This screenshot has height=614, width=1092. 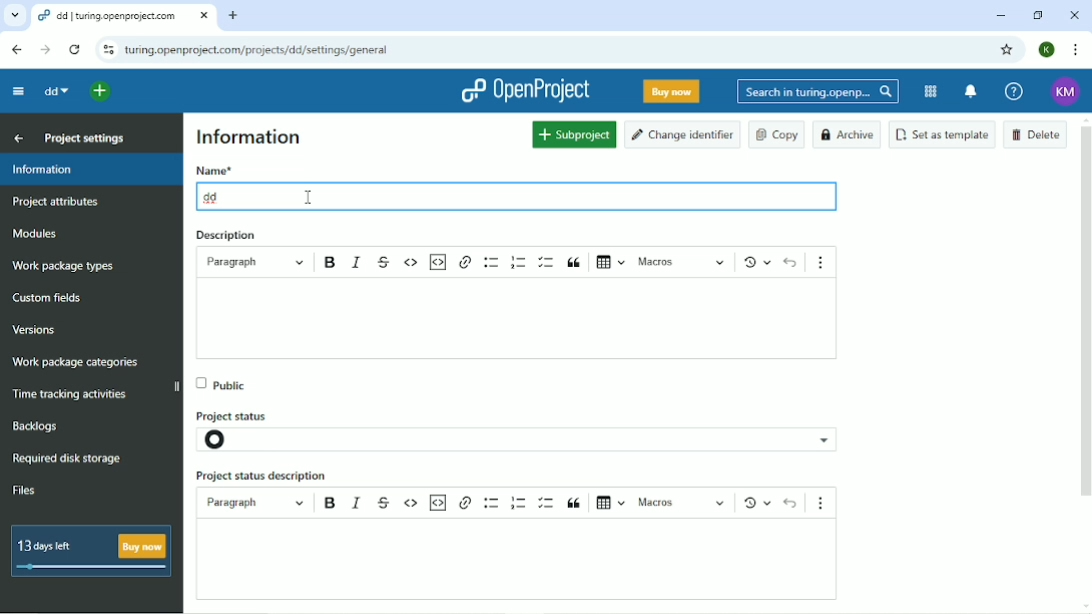 What do you see at coordinates (33, 233) in the screenshot?
I see `Modules` at bounding box center [33, 233].